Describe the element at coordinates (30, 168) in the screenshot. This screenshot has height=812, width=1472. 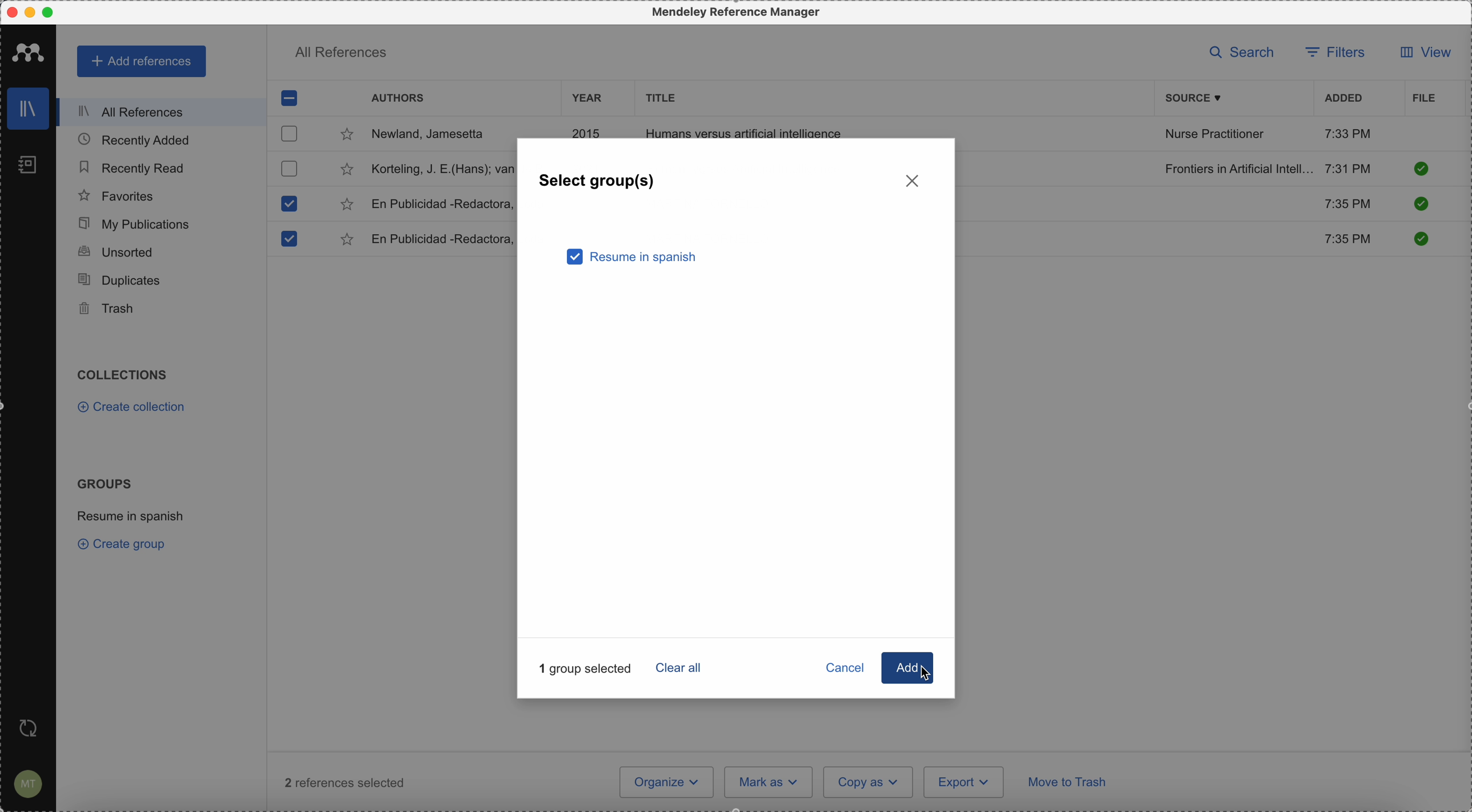
I see `notebooks` at that location.